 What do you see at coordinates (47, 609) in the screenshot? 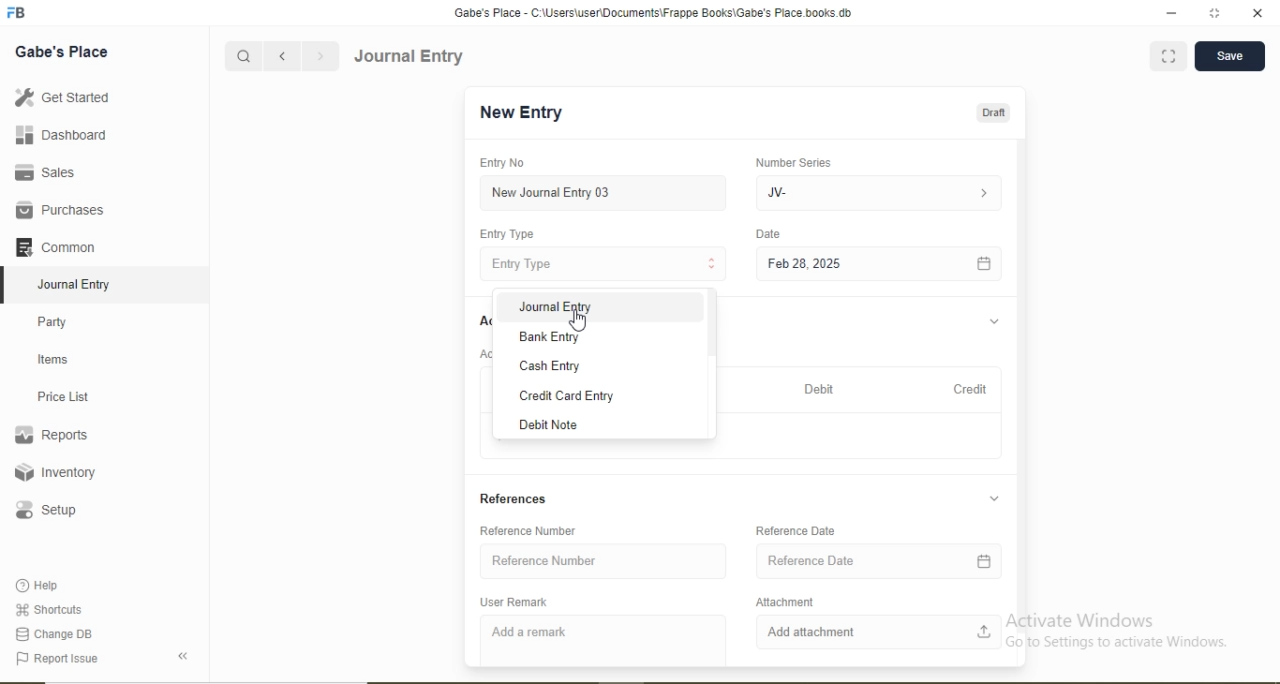
I see `Shortcuts` at bounding box center [47, 609].